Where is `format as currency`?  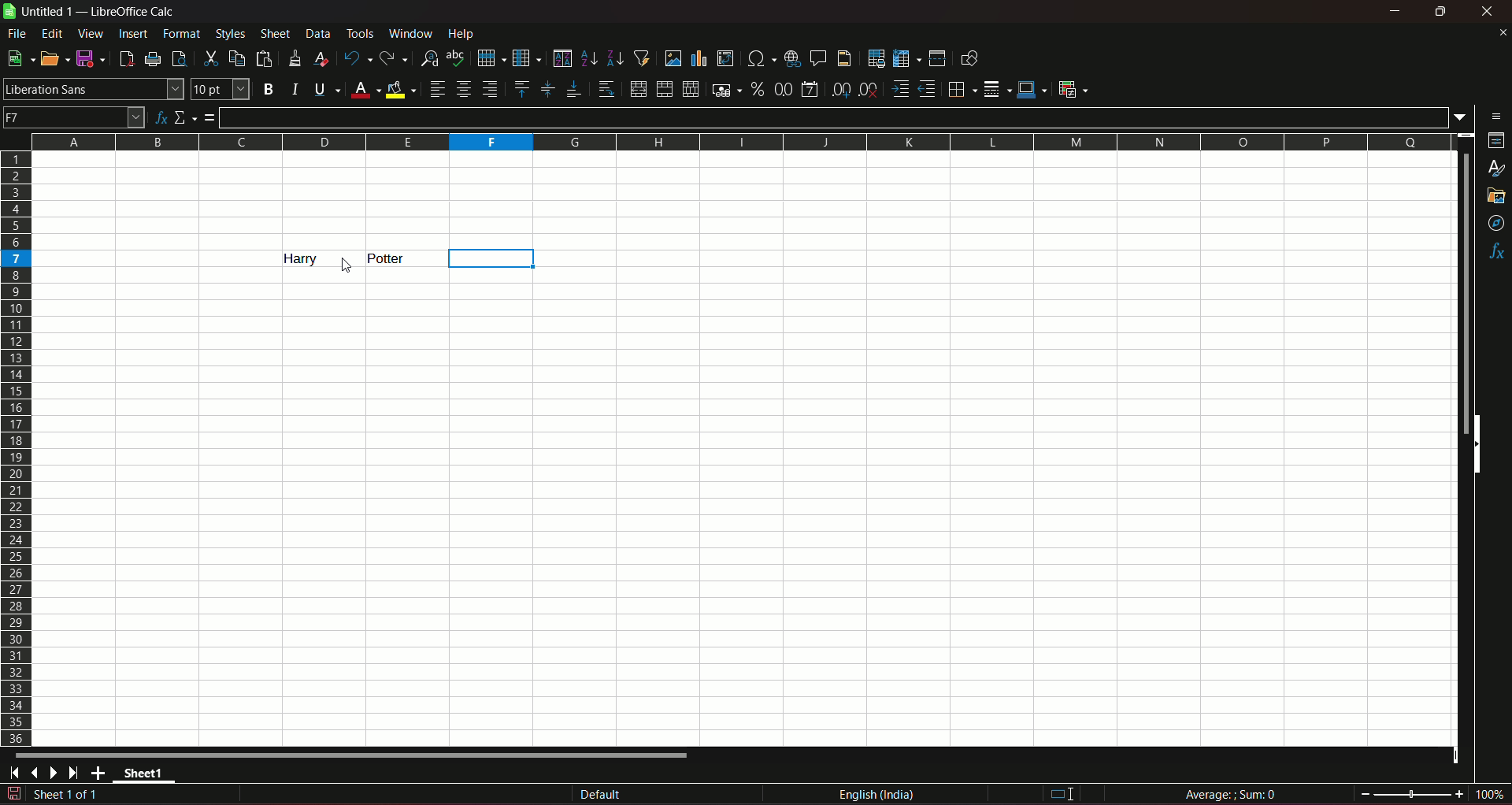
format as currency is located at coordinates (725, 90).